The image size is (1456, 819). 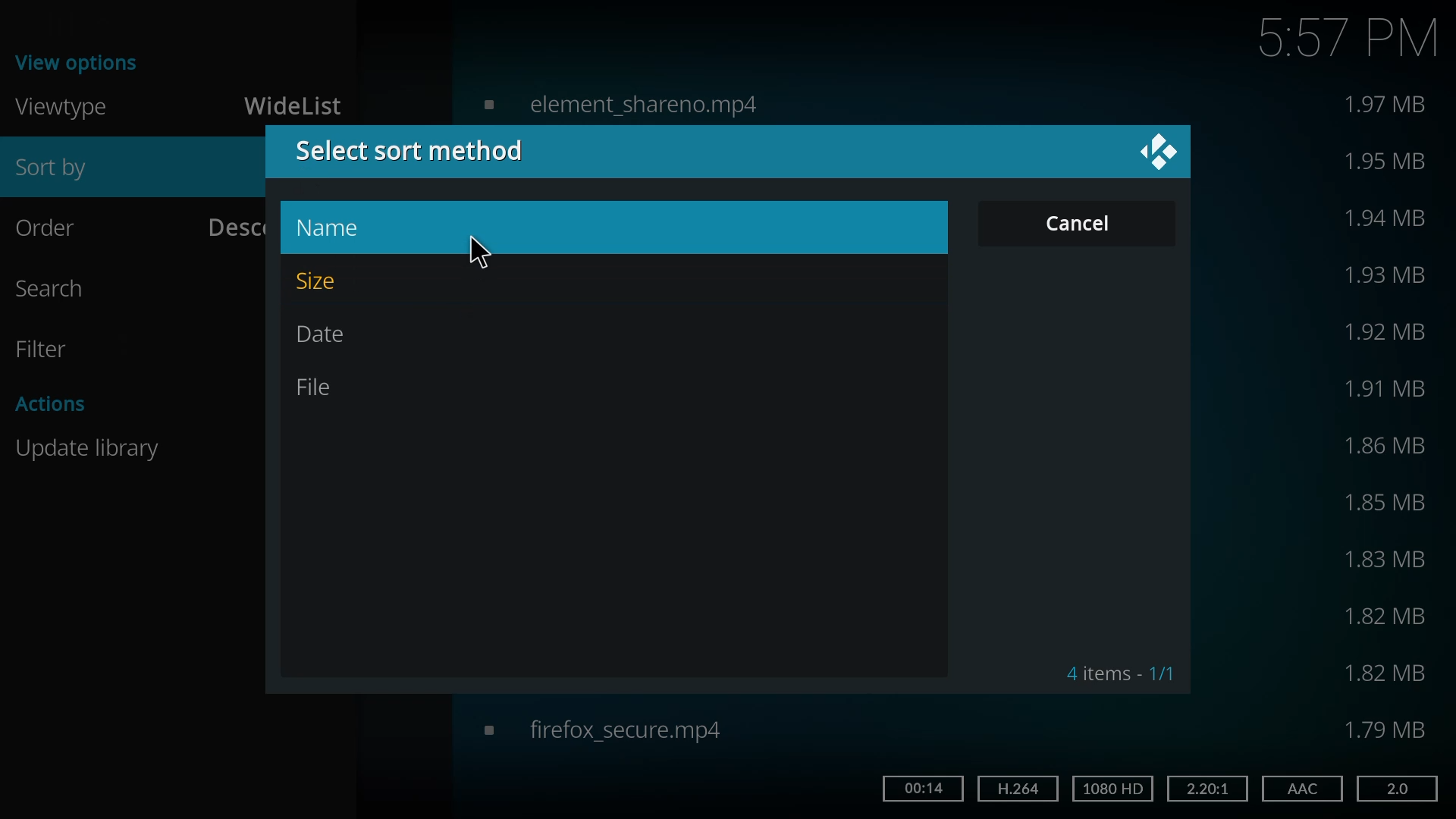 What do you see at coordinates (1389, 501) in the screenshot?
I see `size` at bounding box center [1389, 501].